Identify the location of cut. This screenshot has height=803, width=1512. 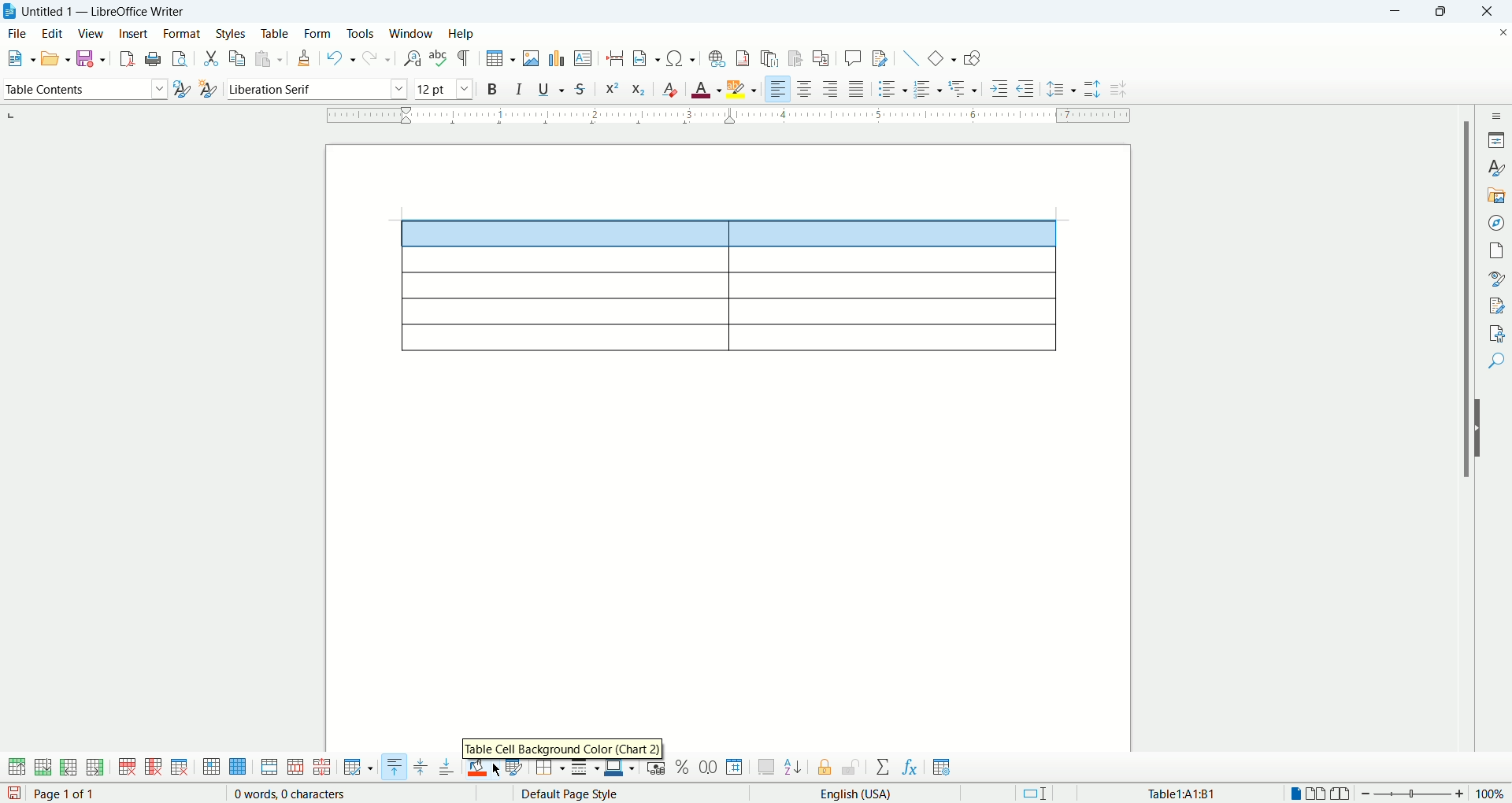
(212, 60).